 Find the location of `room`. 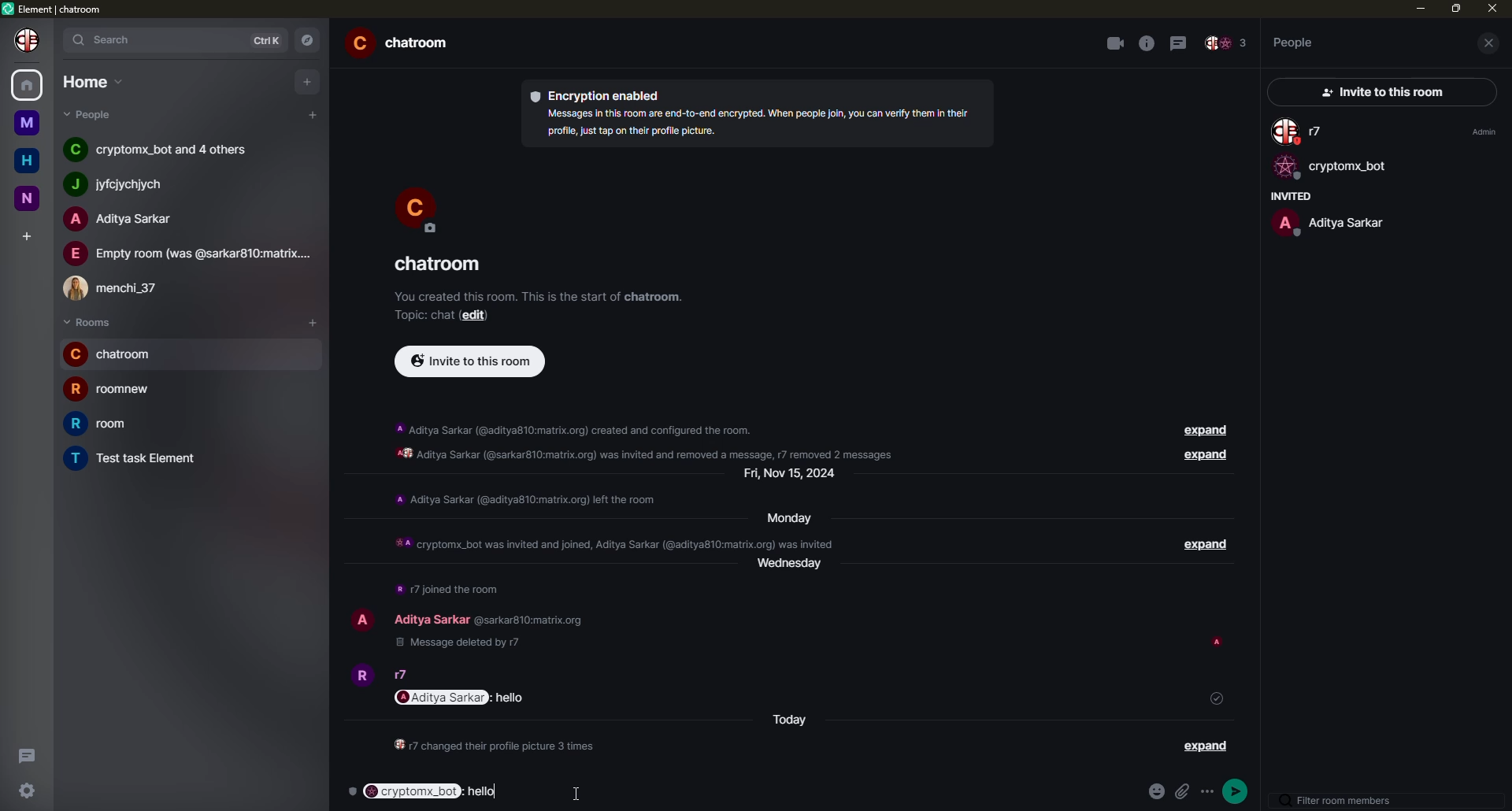

room is located at coordinates (137, 459).